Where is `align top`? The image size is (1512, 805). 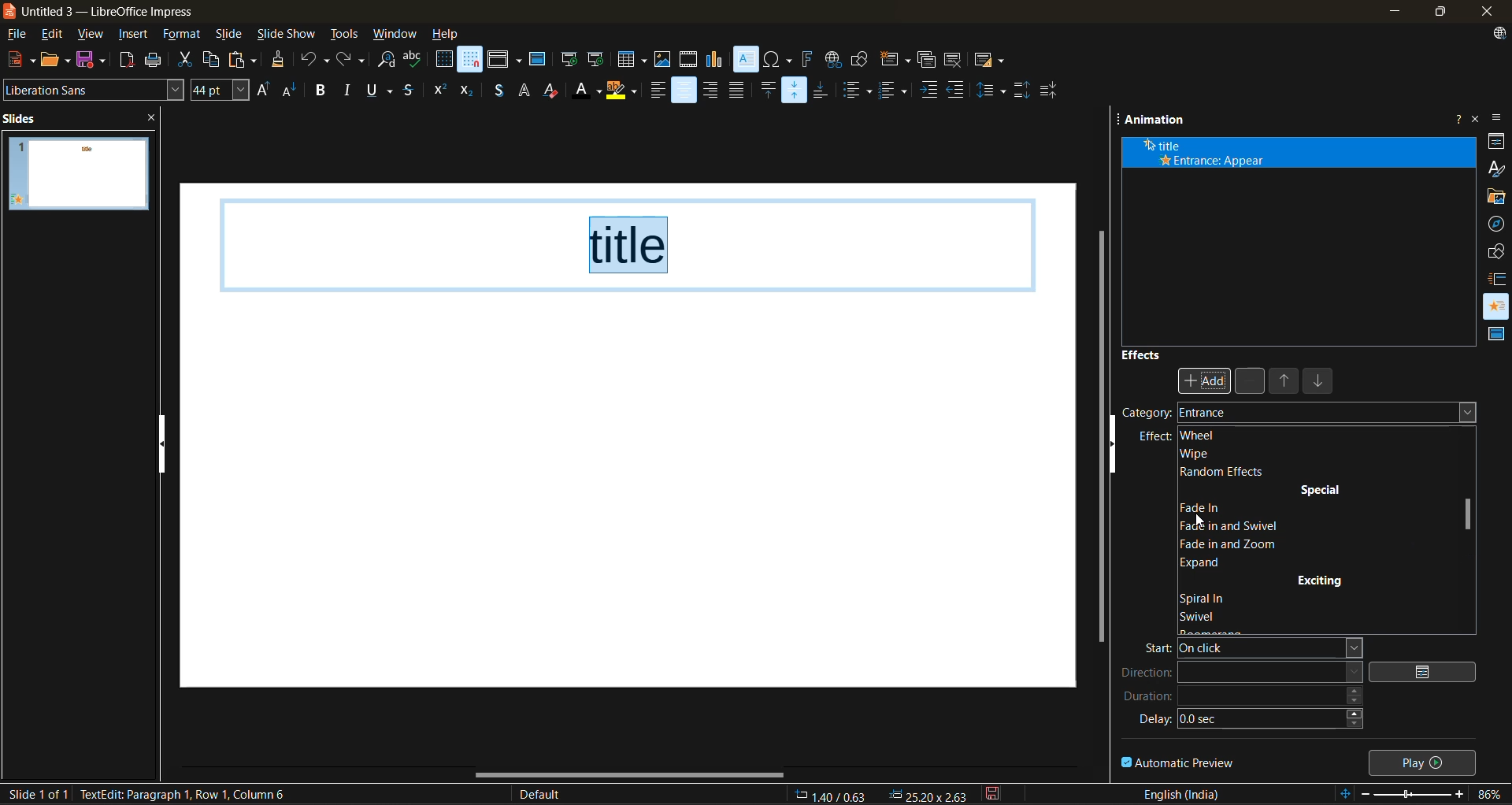 align top is located at coordinates (766, 91).